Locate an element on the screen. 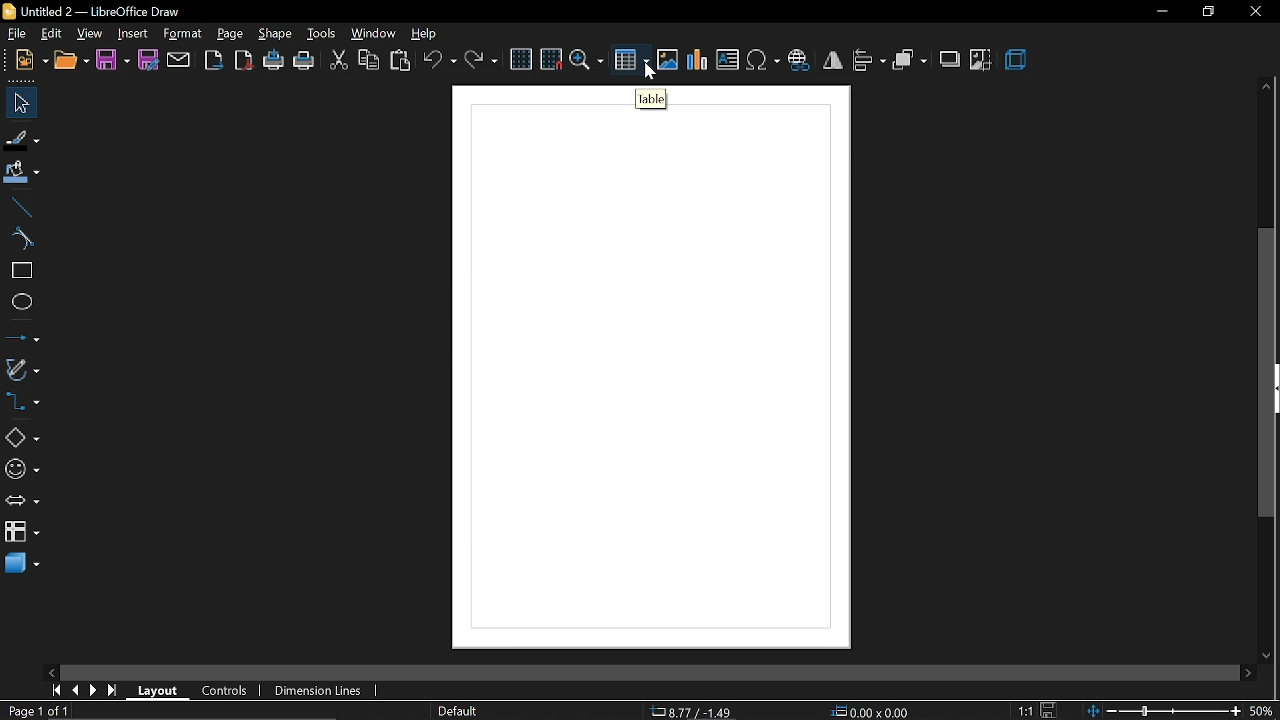 The image size is (1280, 720). arrows is located at coordinates (21, 502).